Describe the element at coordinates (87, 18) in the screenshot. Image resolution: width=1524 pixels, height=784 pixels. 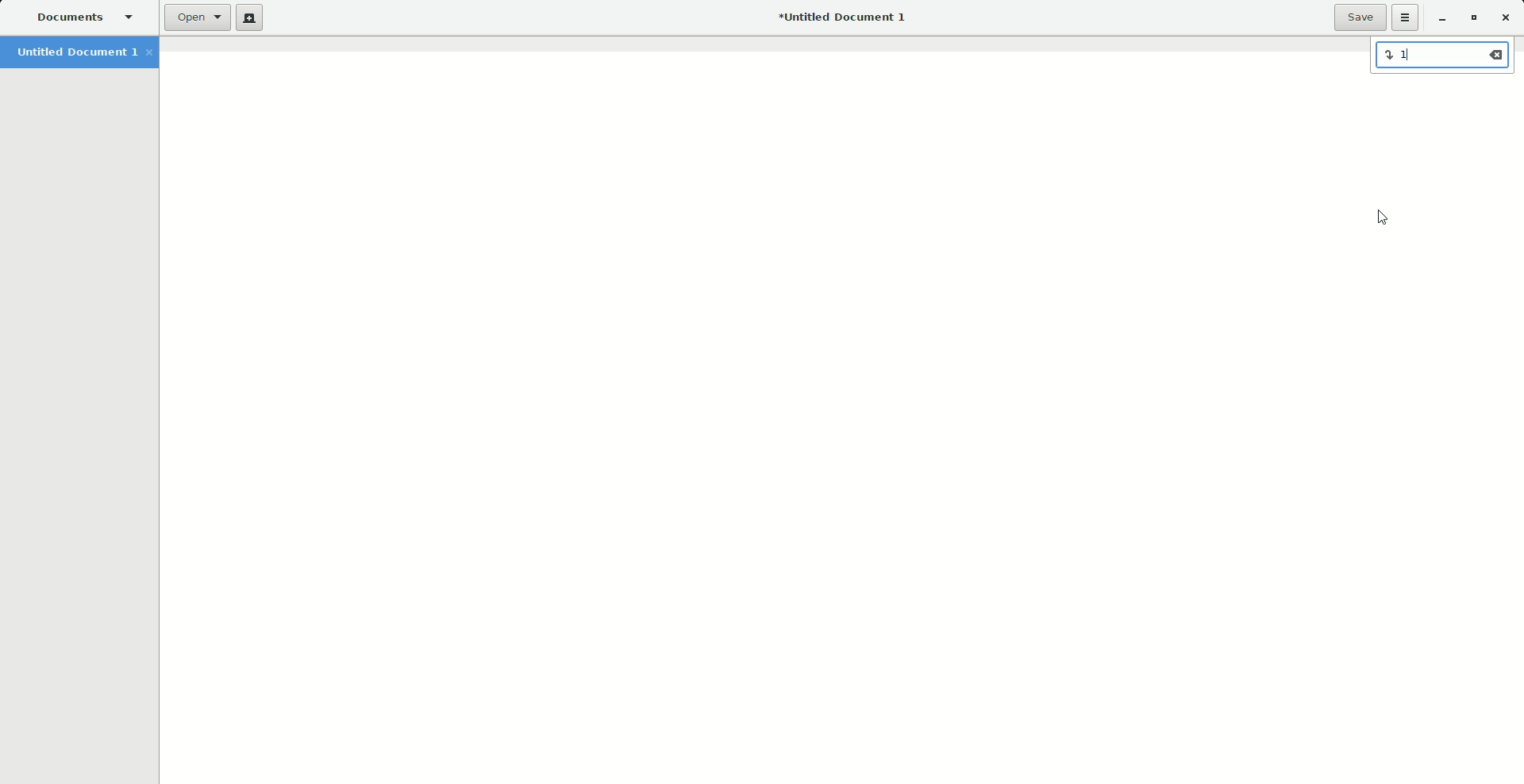
I see `Documents` at that location.